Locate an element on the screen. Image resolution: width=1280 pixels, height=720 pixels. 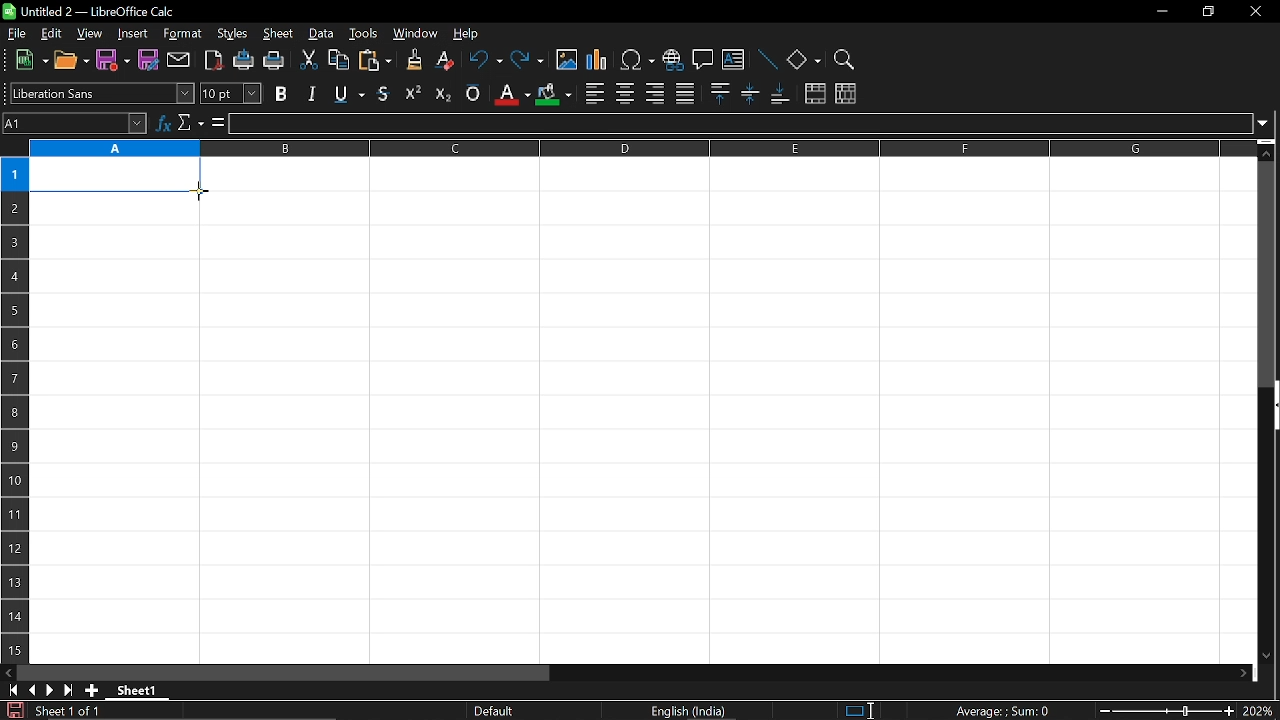
undo is located at coordinates (484, 61).